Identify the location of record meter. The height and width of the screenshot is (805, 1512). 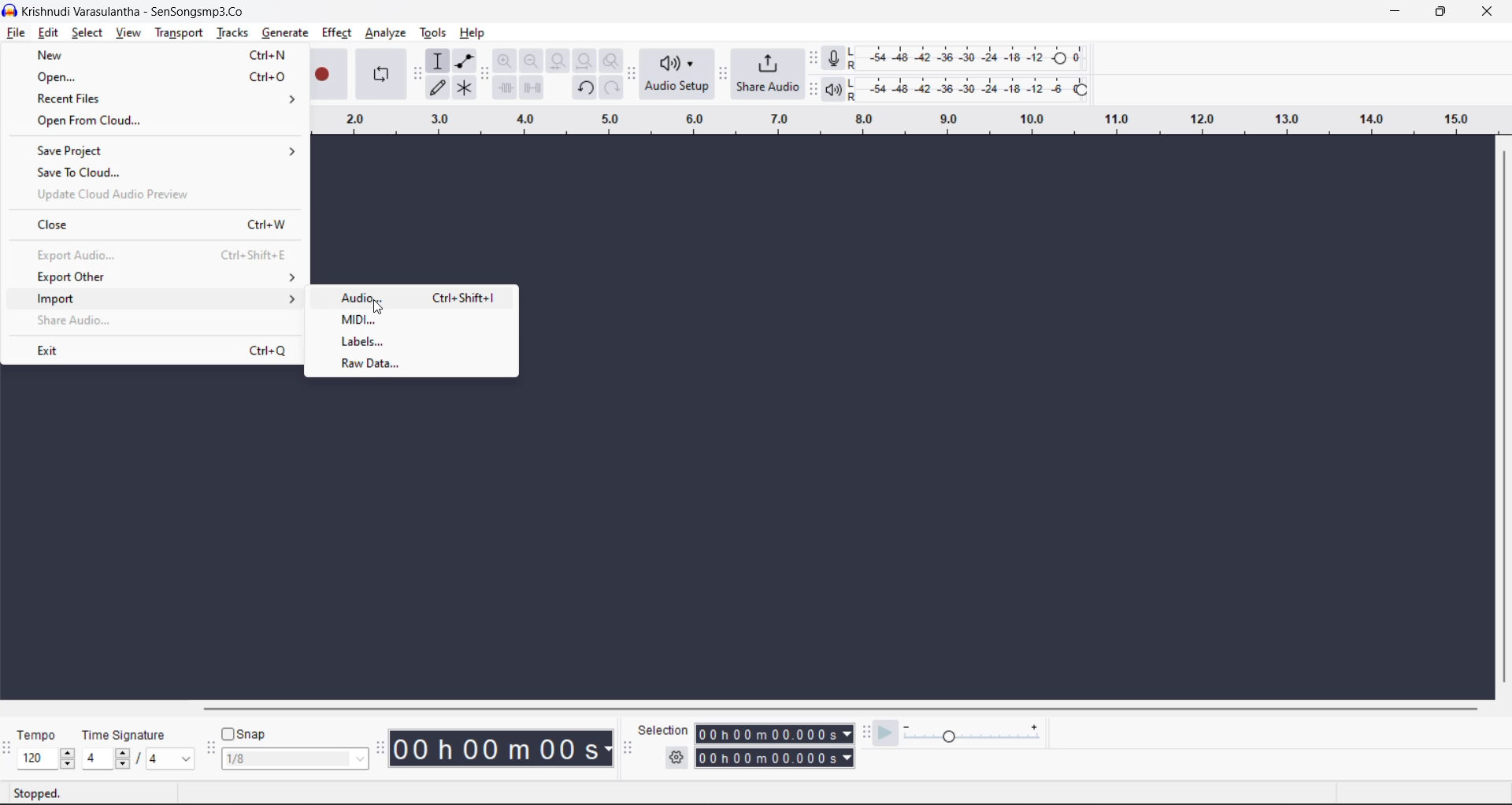
(839, 58).